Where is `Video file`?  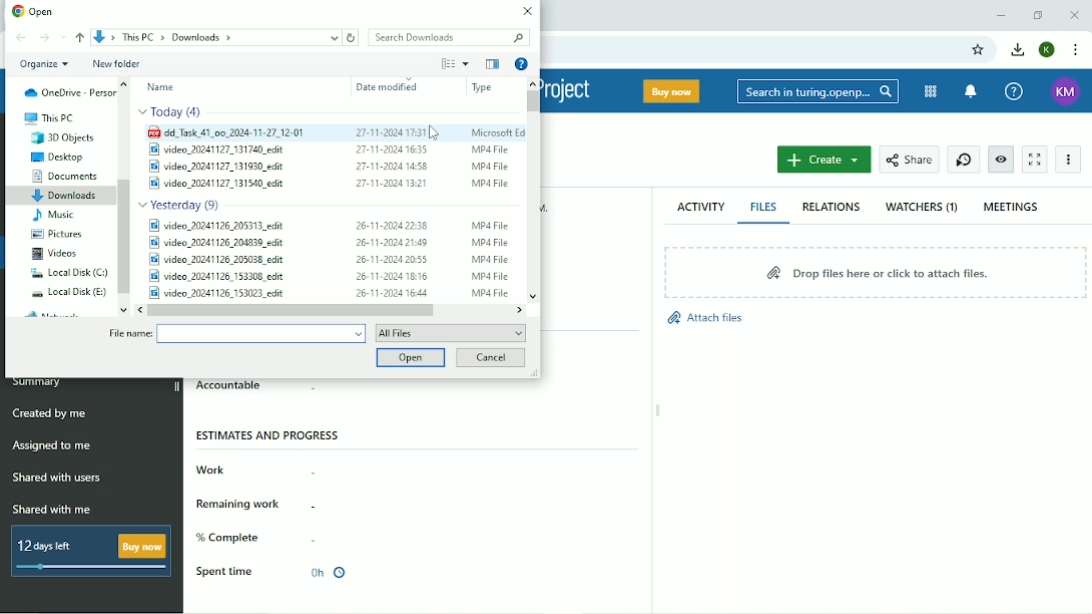 Video file is located at coordinates (327, 243).